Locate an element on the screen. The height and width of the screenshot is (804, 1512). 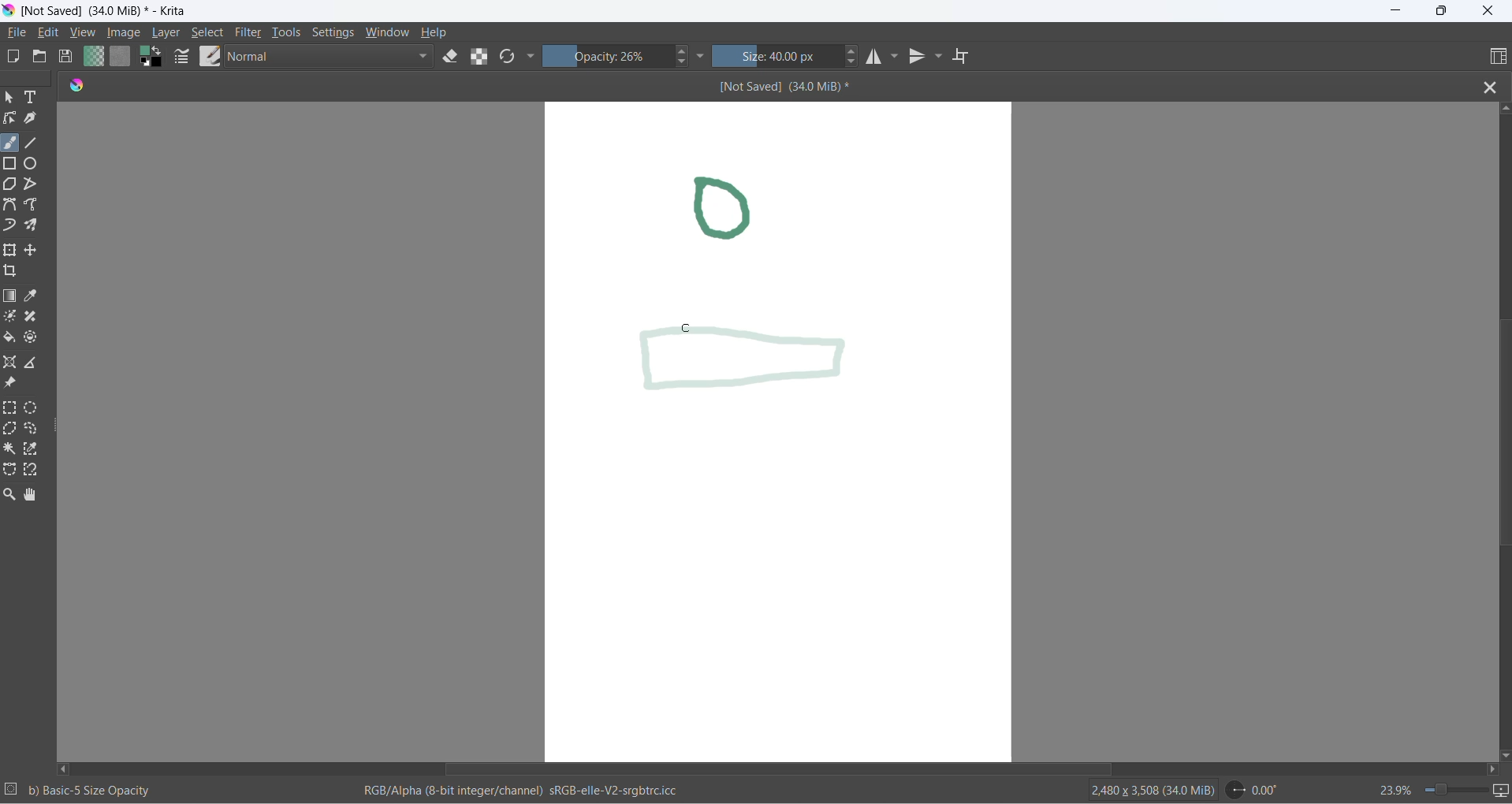
new opacity is located at coordinates (754, 370).